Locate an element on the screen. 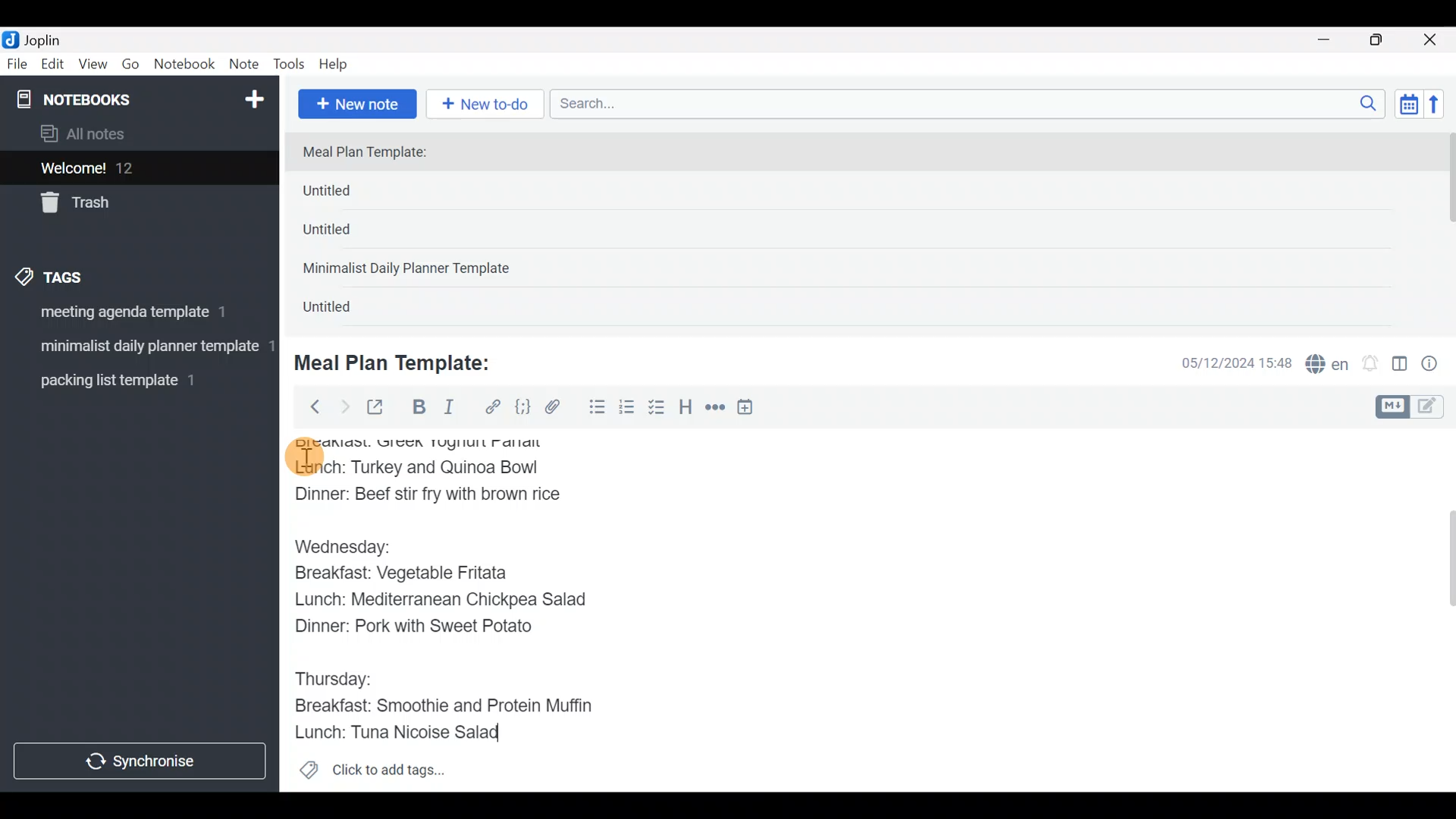 The height and width of the screenshot is (819, 1456). Meal Plan Template: is located at coordinates (374, 153).